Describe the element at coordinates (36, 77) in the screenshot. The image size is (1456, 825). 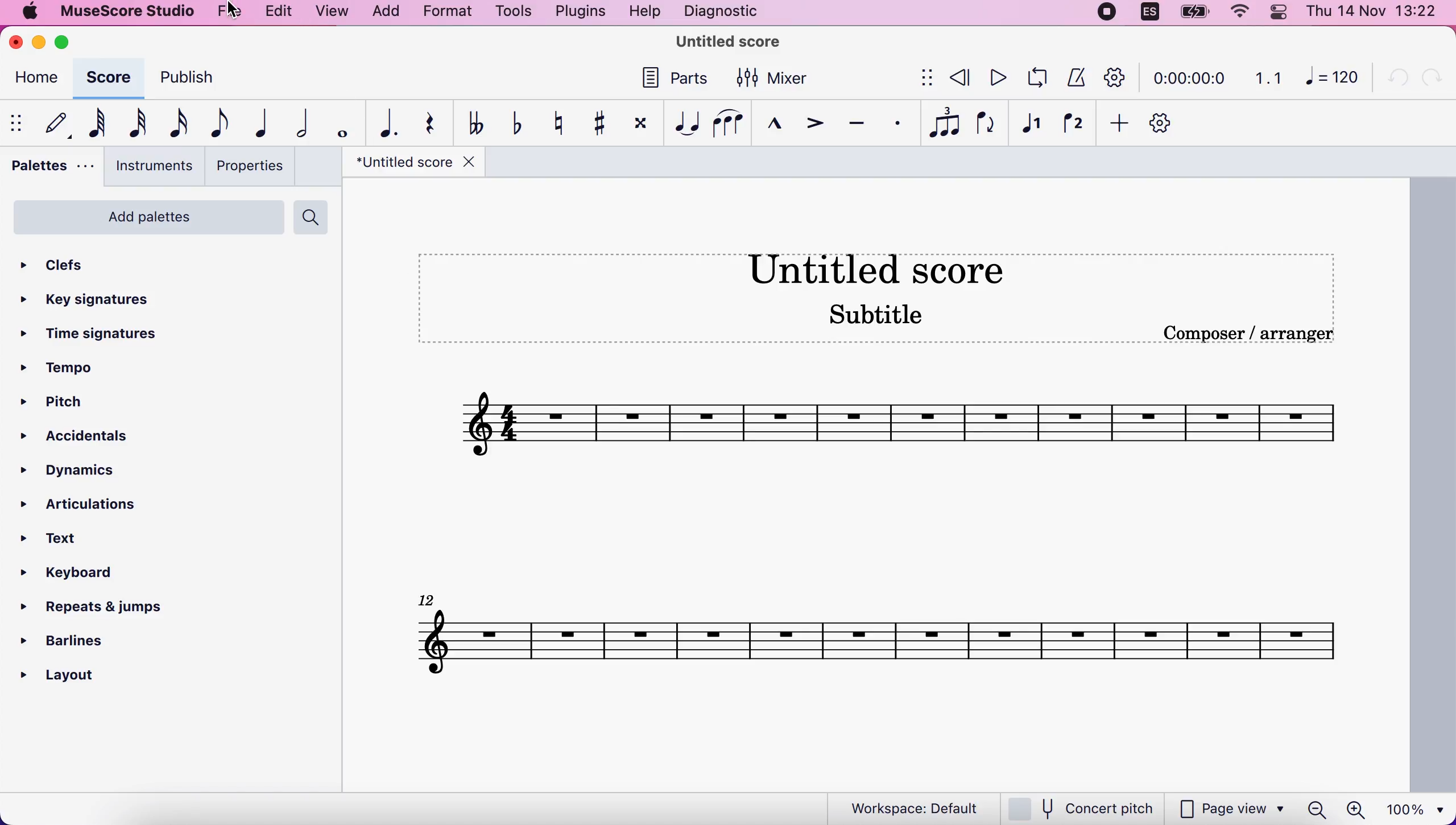
I see `home` at that location.